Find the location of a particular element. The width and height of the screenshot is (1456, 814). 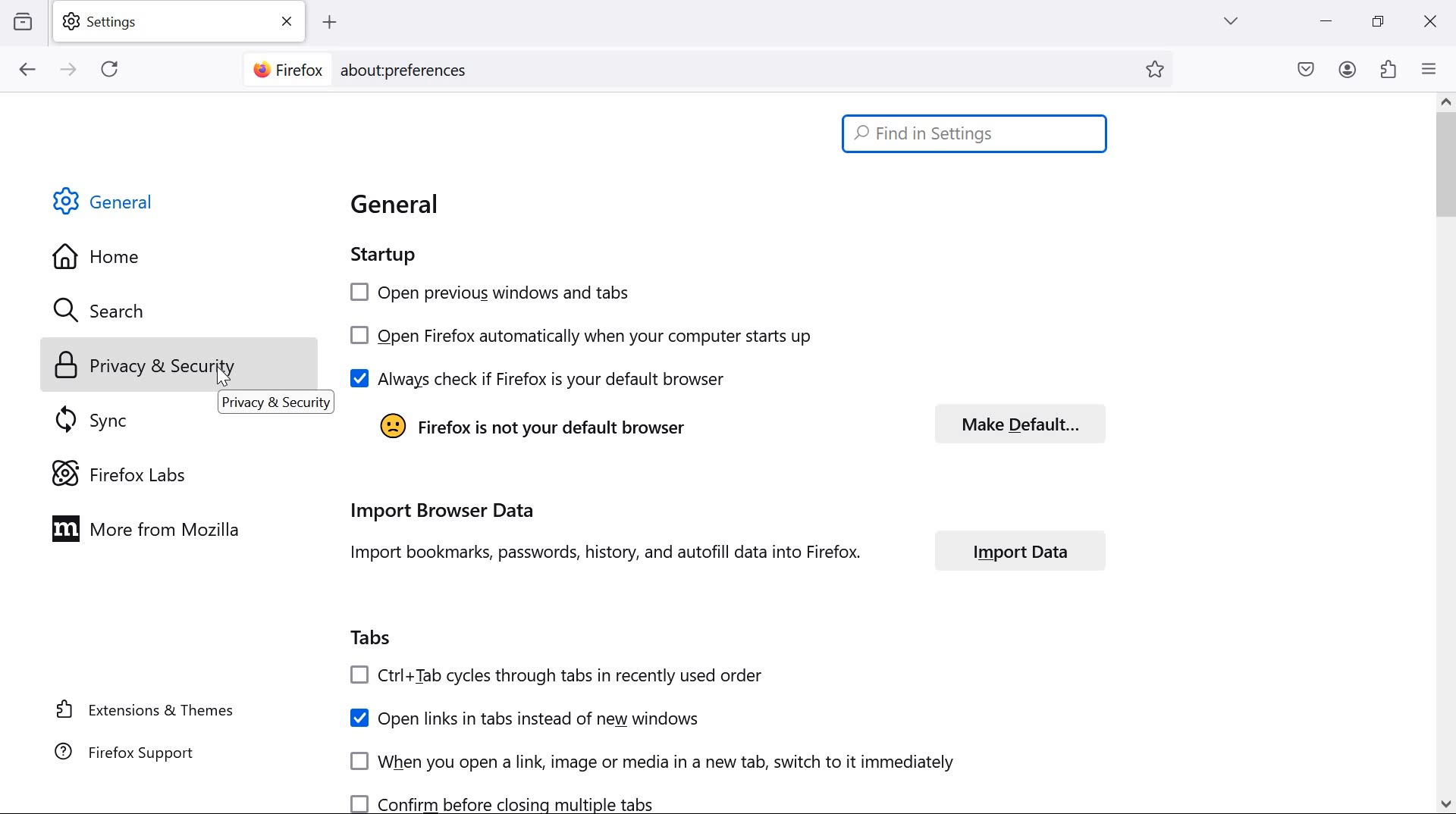

Find in settings is located at coordinates (978, 133).